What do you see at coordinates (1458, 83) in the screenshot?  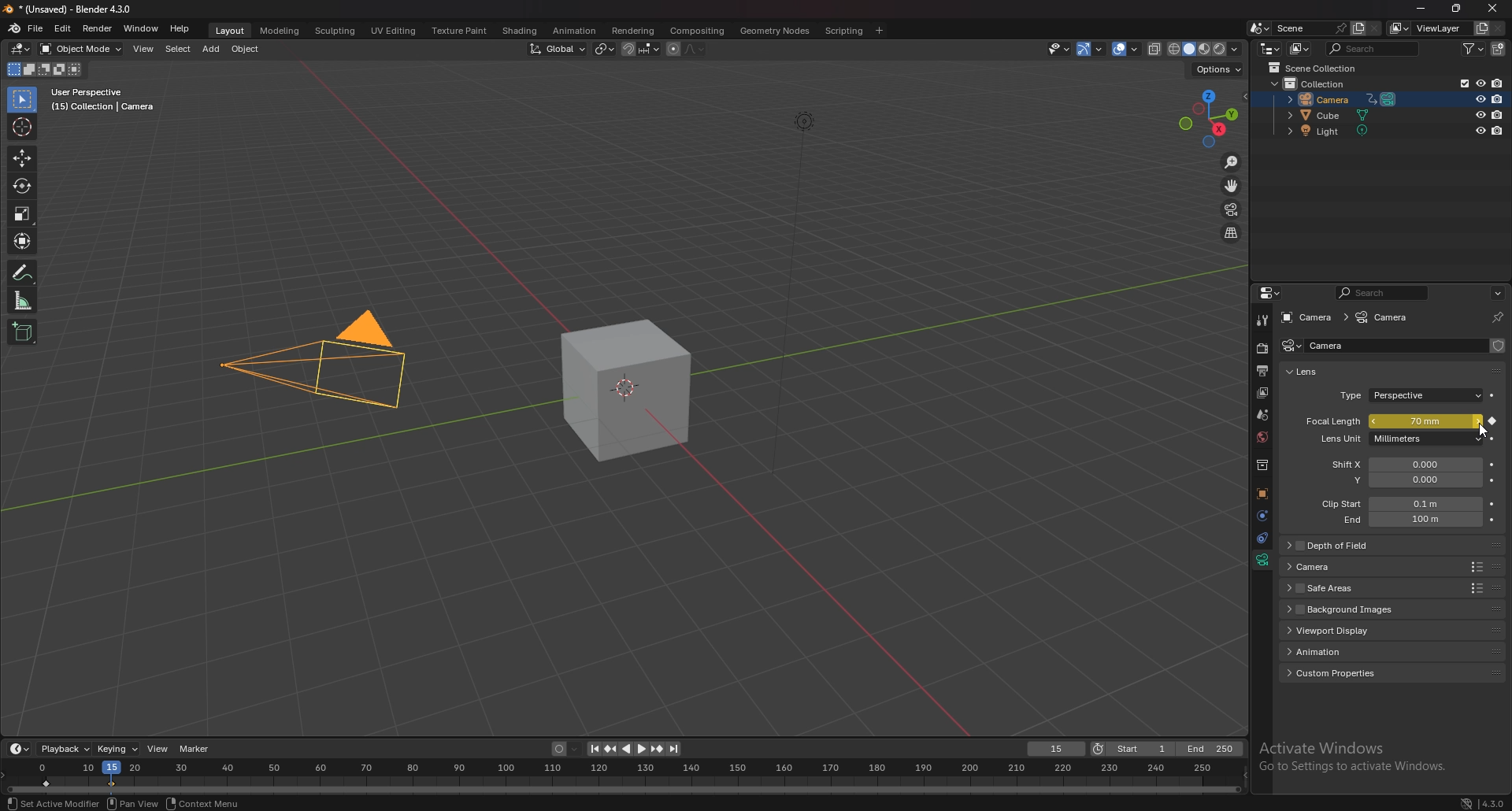 I see `exclude from viewlayer` at bounding box center [1458, 83].